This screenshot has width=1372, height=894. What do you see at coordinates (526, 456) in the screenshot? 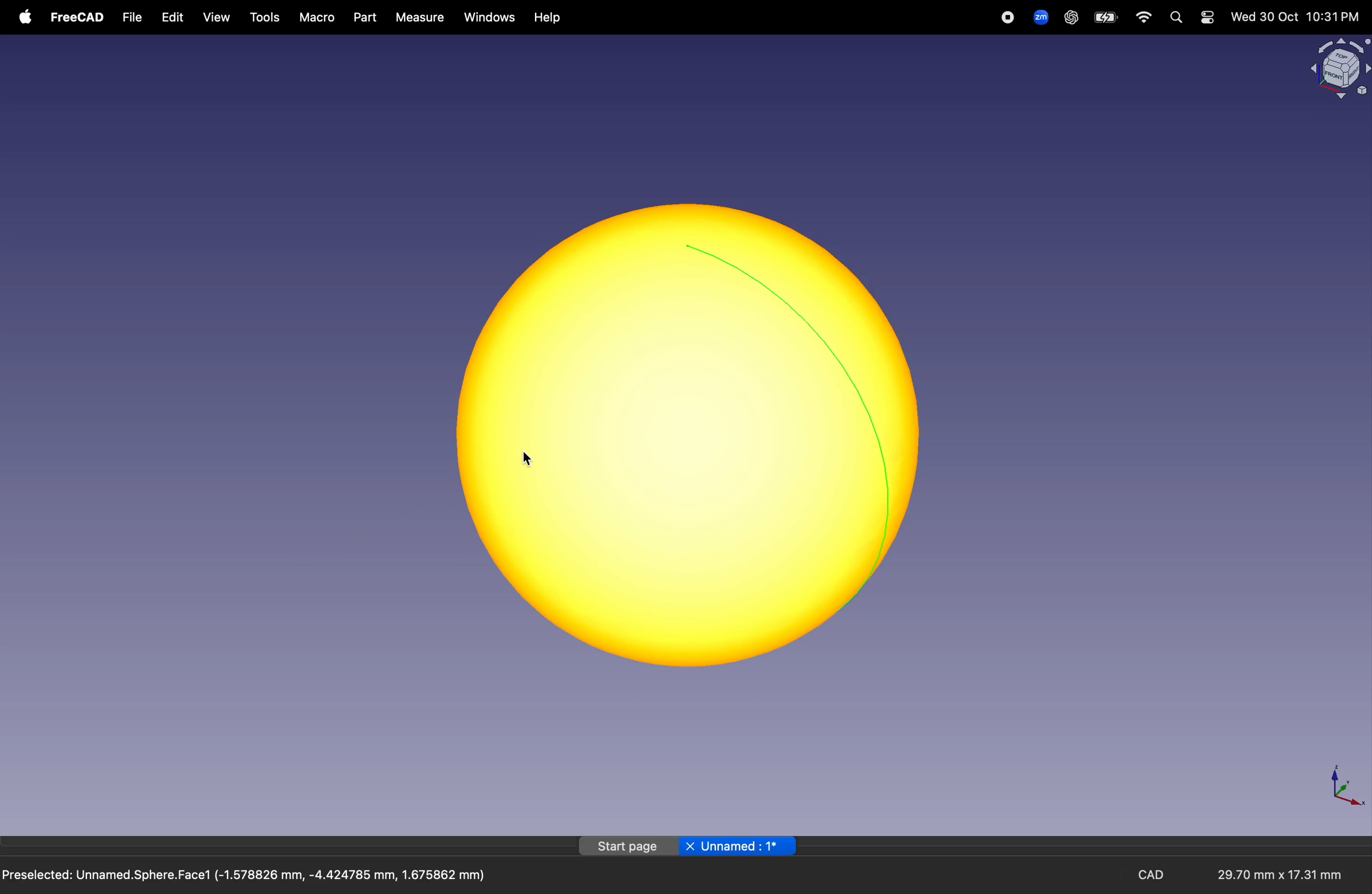
I see `cursor` at bounding box center [526, 456].